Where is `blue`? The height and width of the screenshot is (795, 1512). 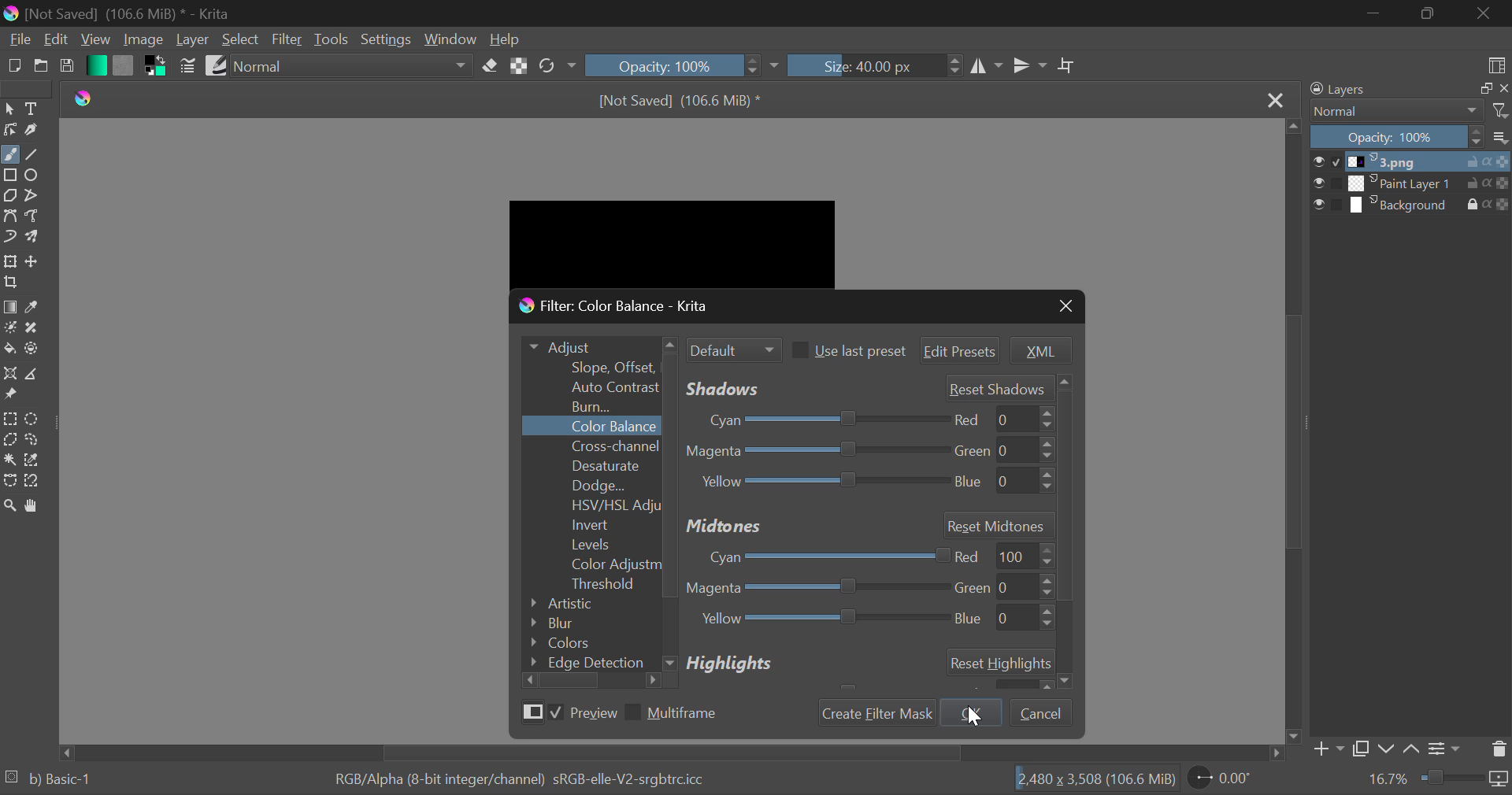 blue is located at coordinates (1001, 482).